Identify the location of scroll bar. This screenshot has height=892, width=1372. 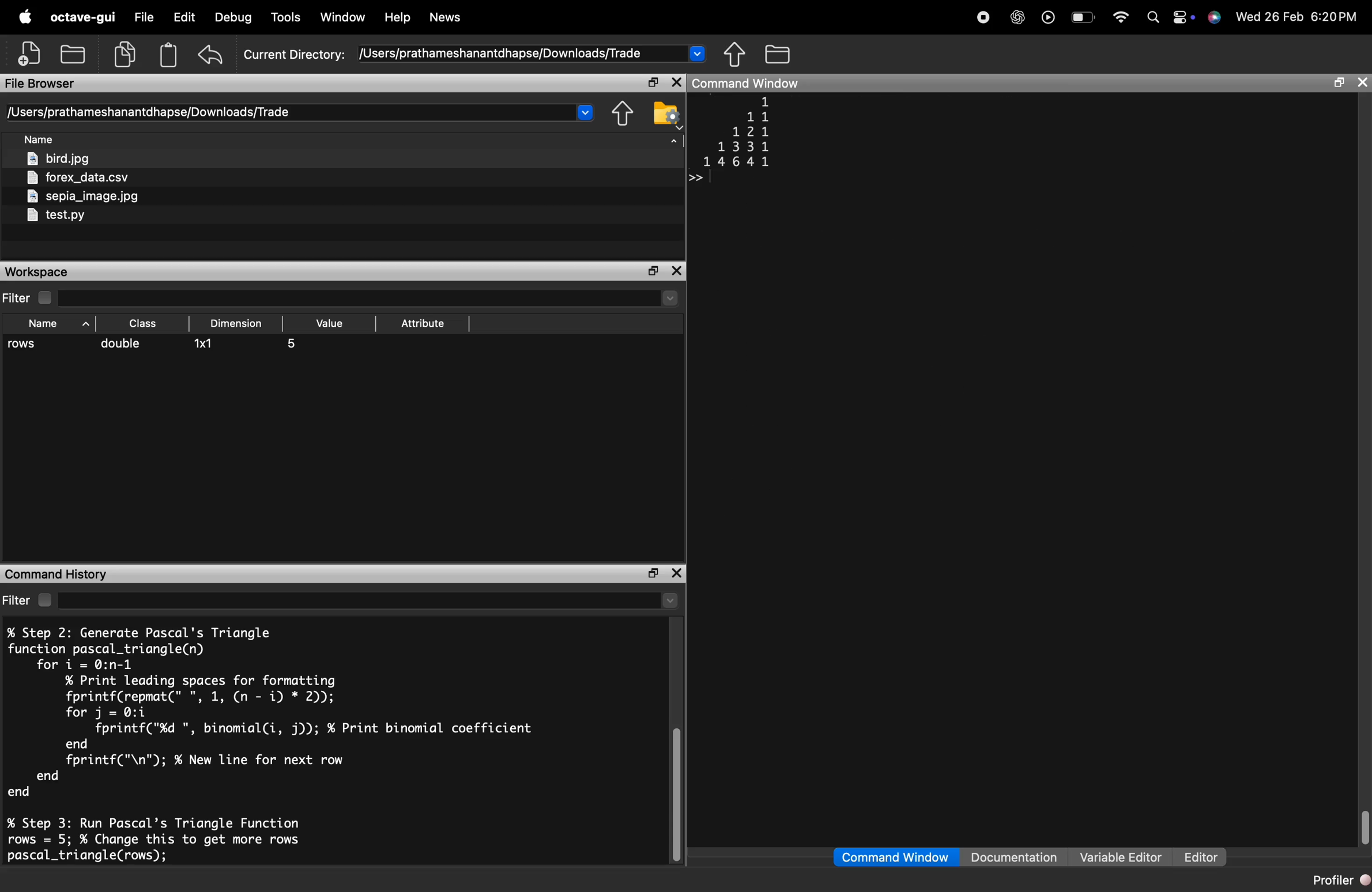
(676, 796).